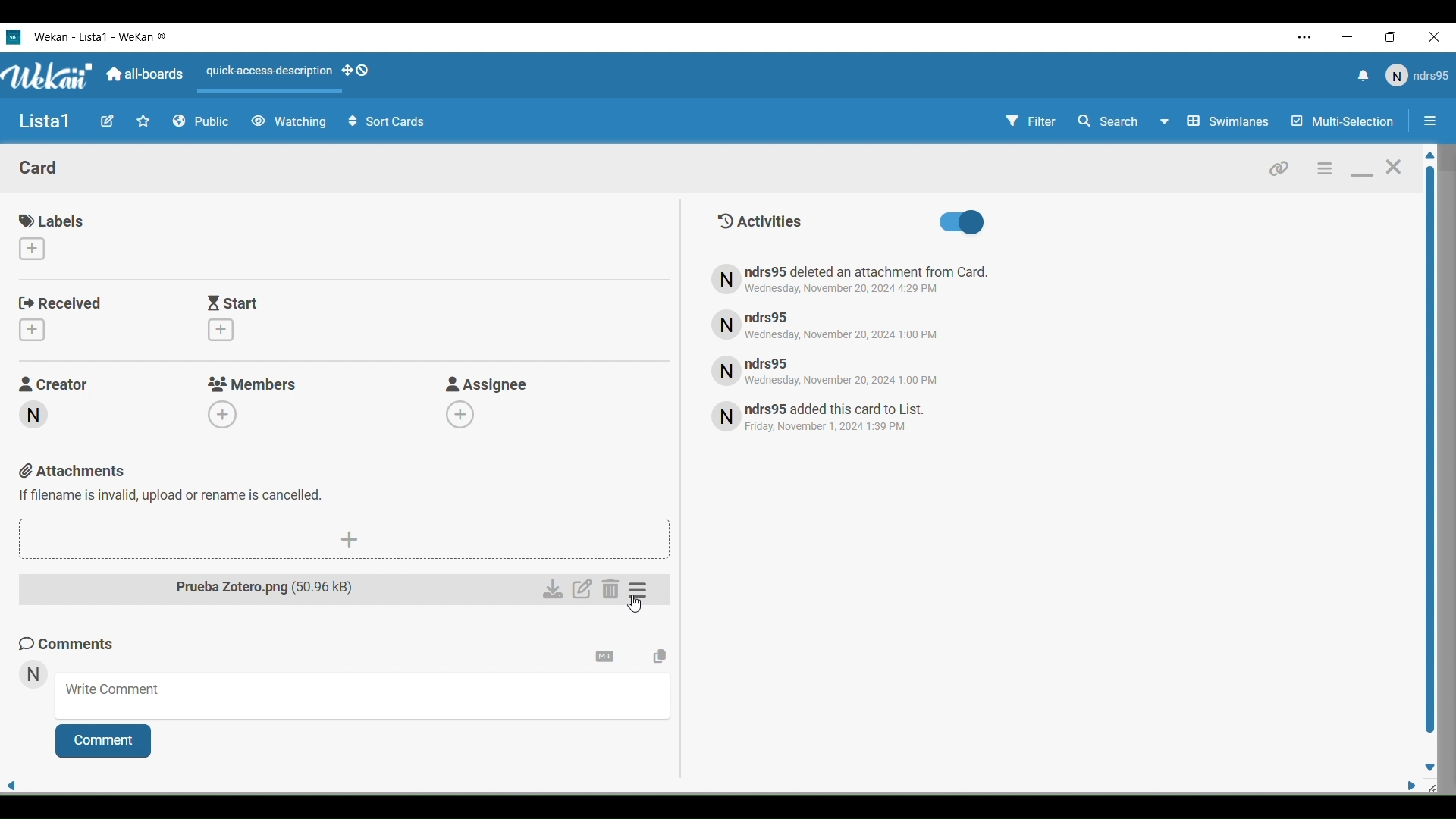 Image resolution: width=1456 pixels, height=819 pixels. I want to click on Delete, so click(610, 590).